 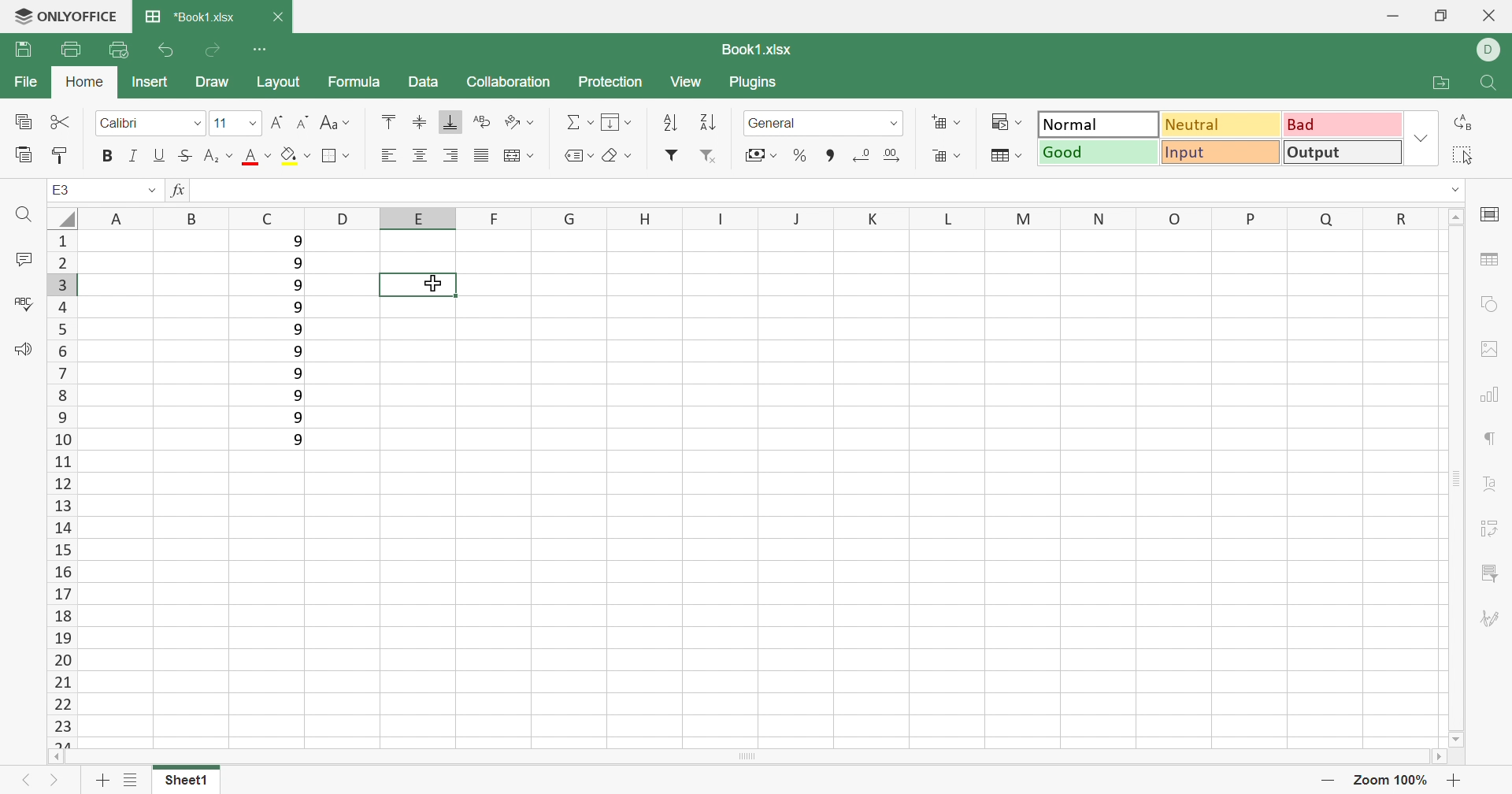 What do you see at coordinates (1493, 48) in the screenshot?
I see `DELL` at bounding box center [1493, 48].